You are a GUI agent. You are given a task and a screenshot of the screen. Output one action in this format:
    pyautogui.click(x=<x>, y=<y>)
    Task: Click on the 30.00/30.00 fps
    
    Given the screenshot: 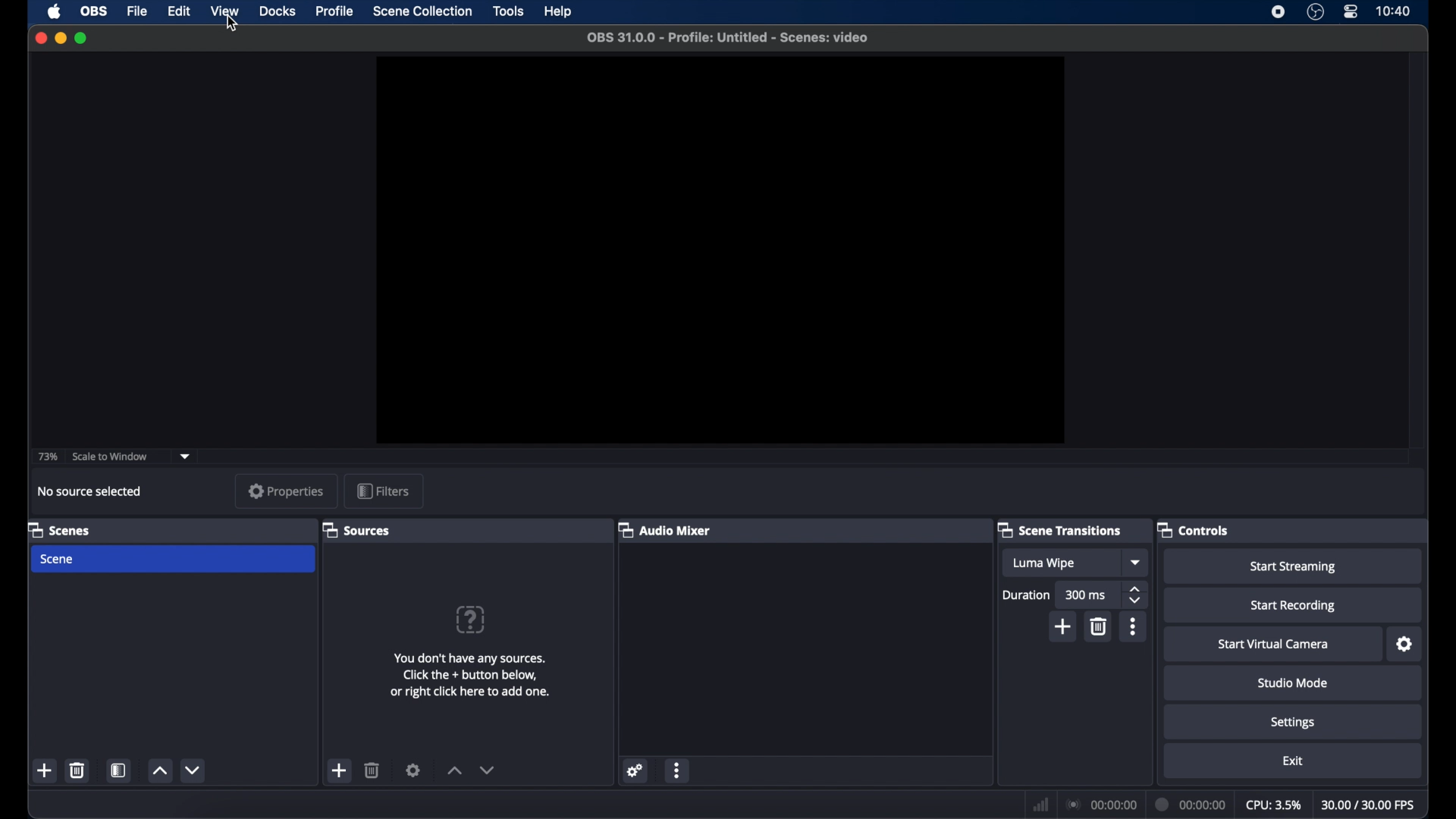 What is the action you would take?
    pyautogui.click(x=1368, y=804)
    